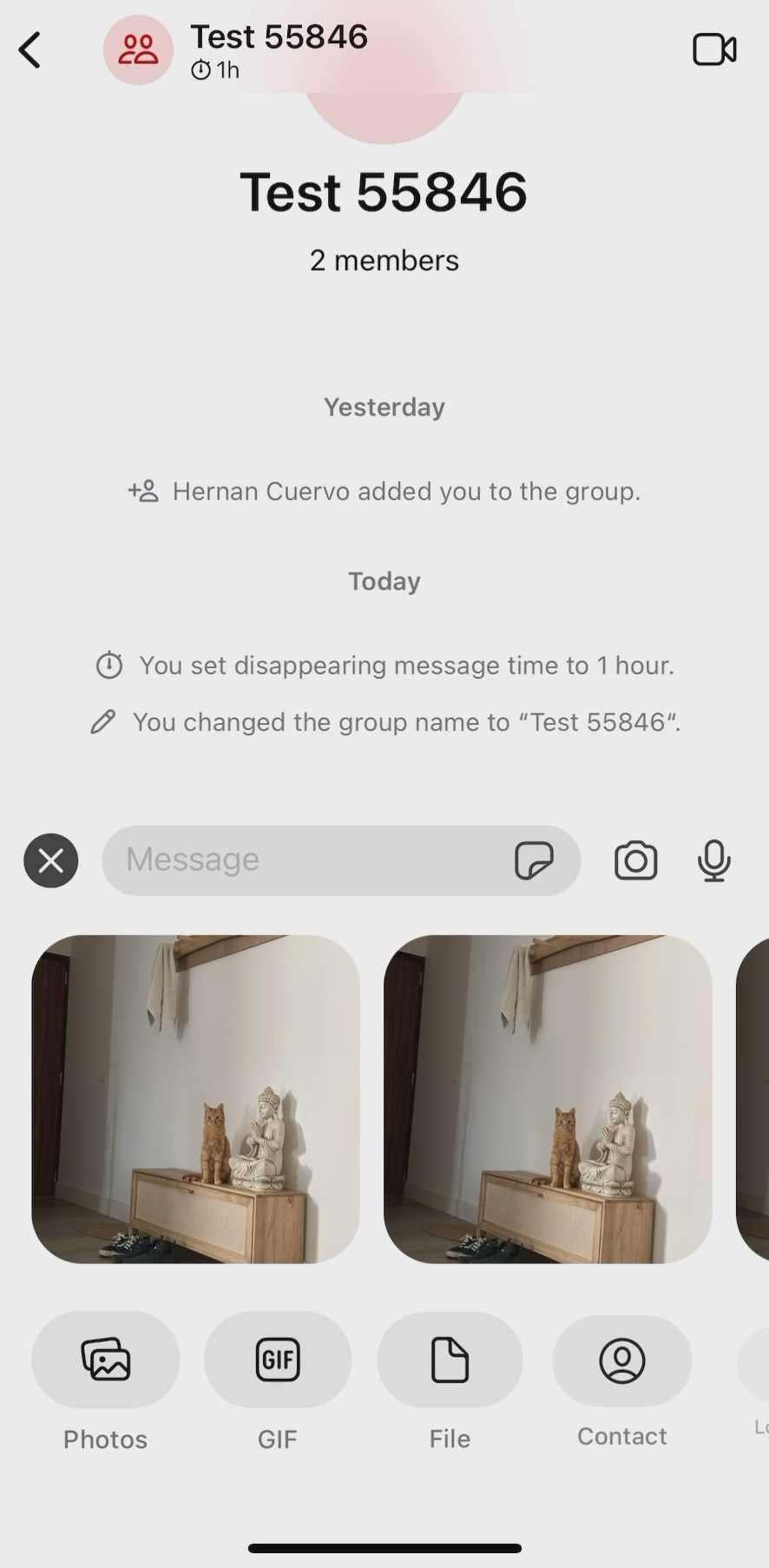 This screenshot has height=1568, width=769. Describe the element at coordinates (450, 1384) in the screenshot. I see `file button` at that location.